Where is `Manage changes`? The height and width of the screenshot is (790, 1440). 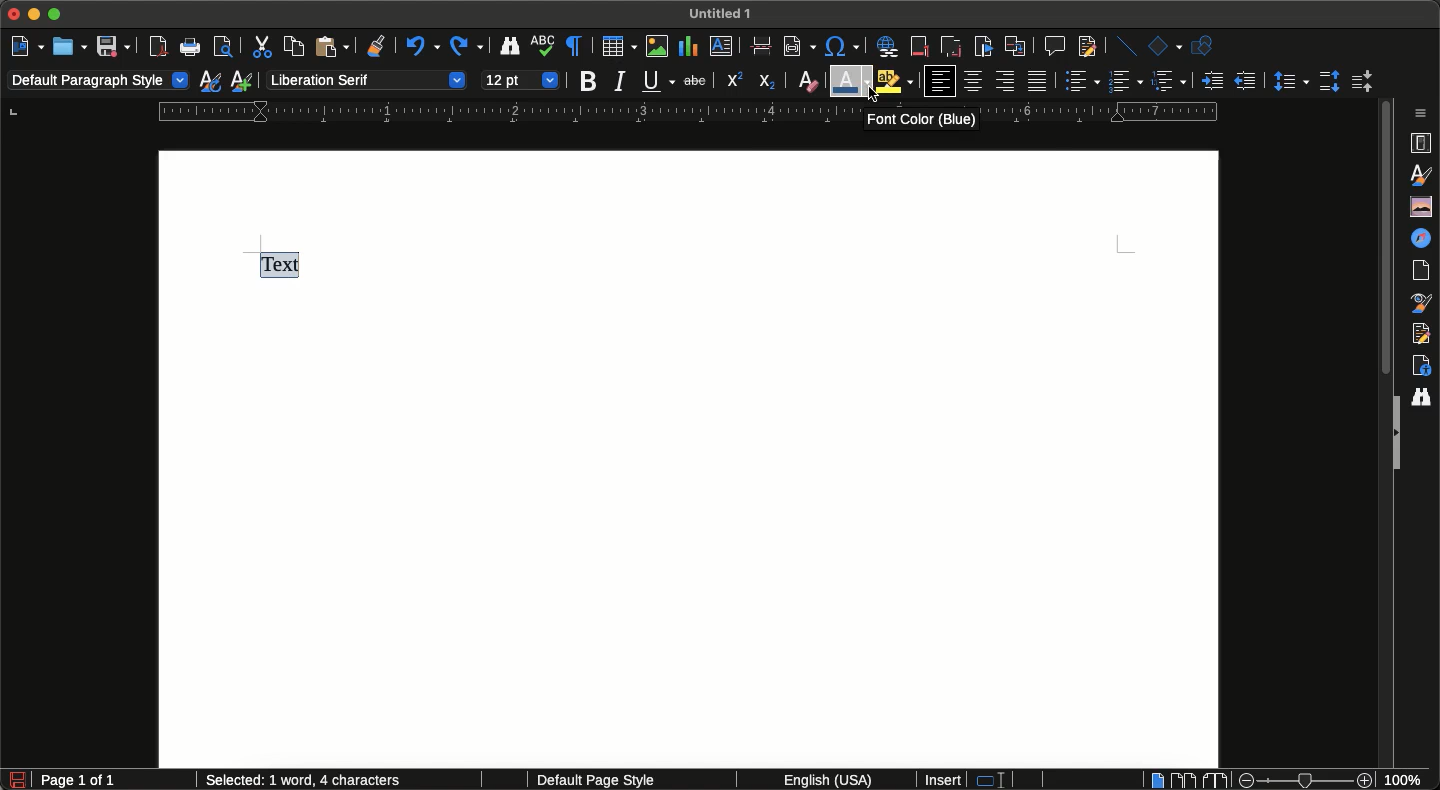
Manage changes is located at coordinates (1425, 333).